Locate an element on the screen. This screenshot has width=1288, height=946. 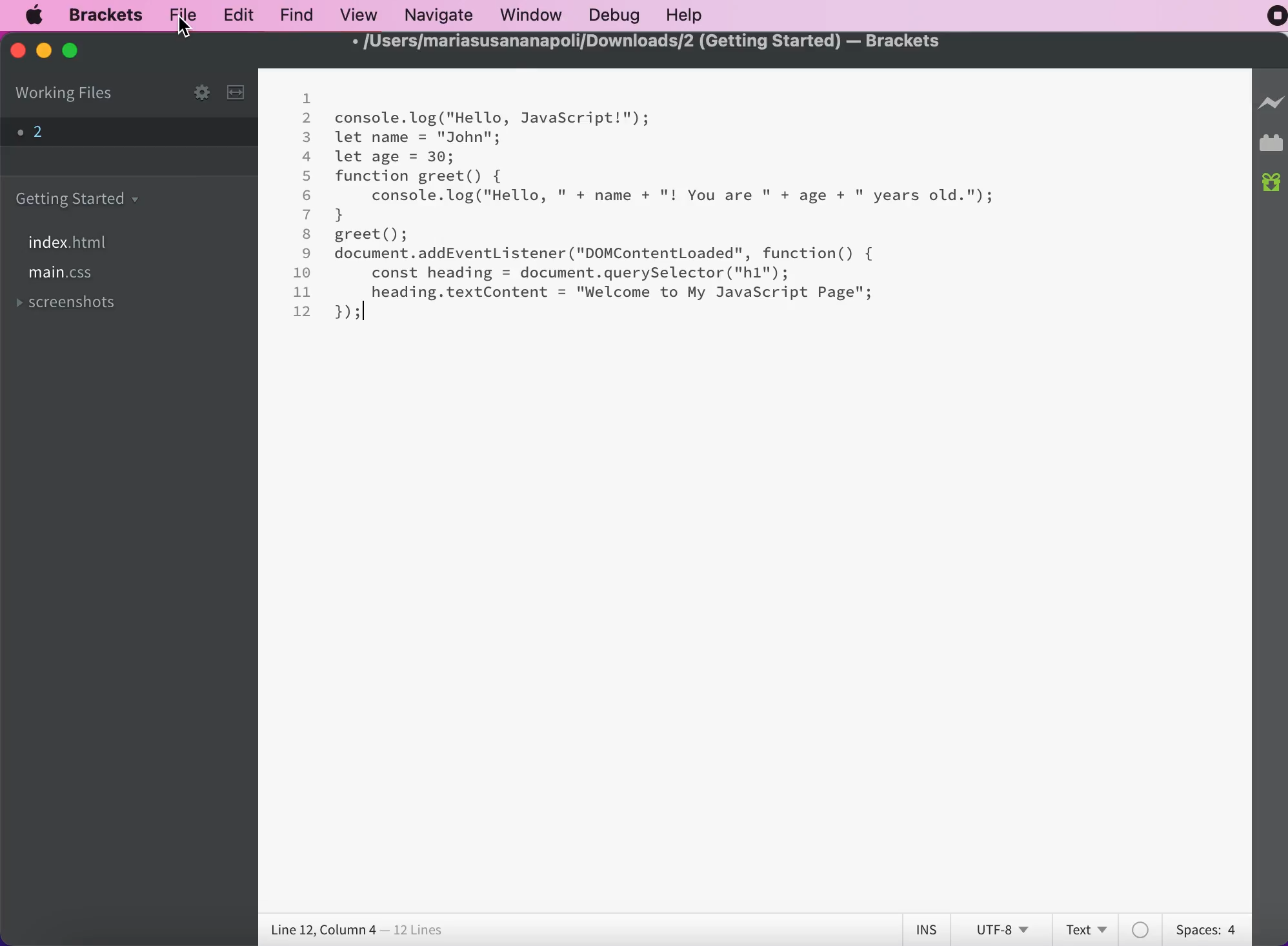
2 is located at coordinates (110, 132).